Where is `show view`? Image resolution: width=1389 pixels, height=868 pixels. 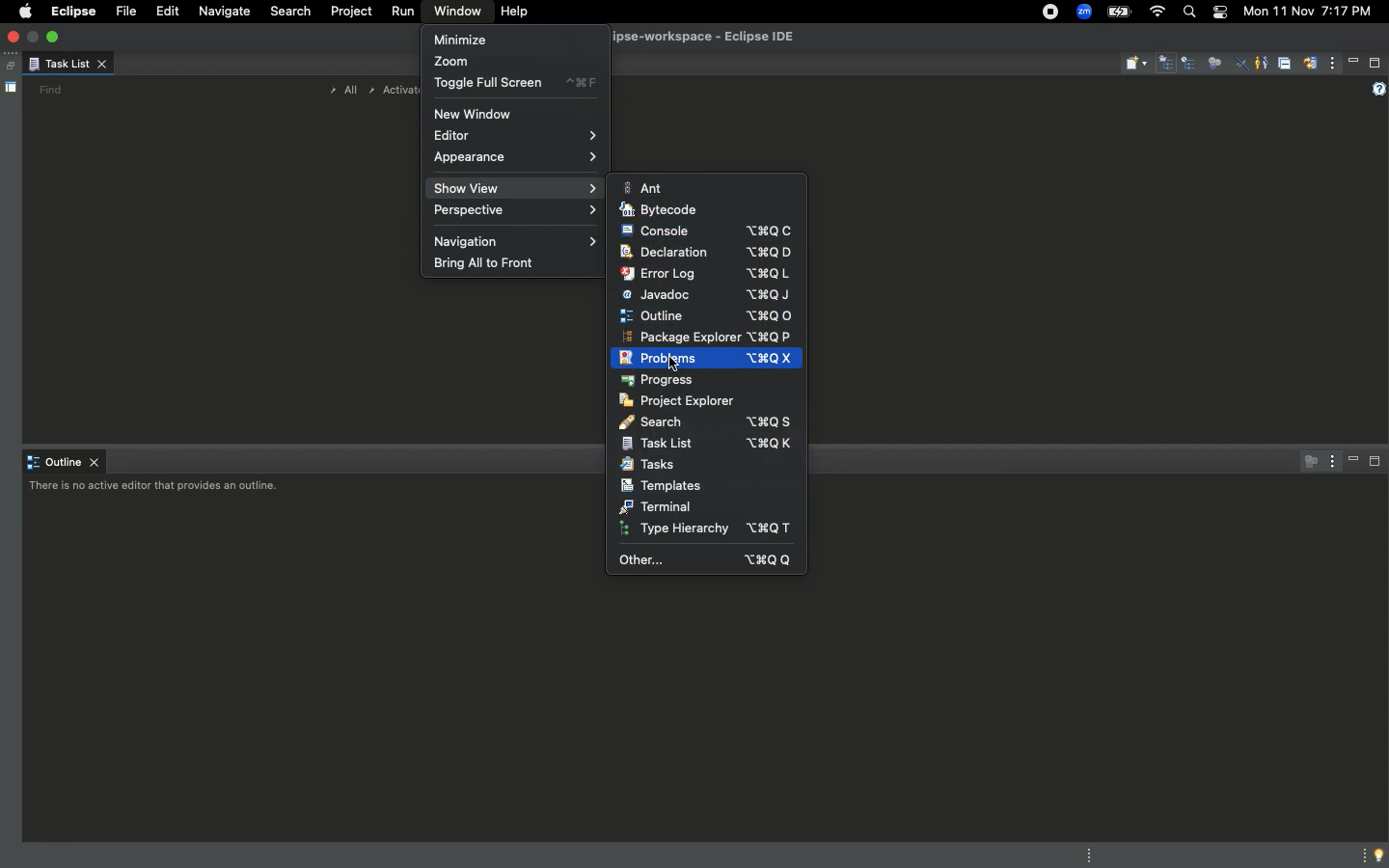
show view is located at coordinates (511, 190).